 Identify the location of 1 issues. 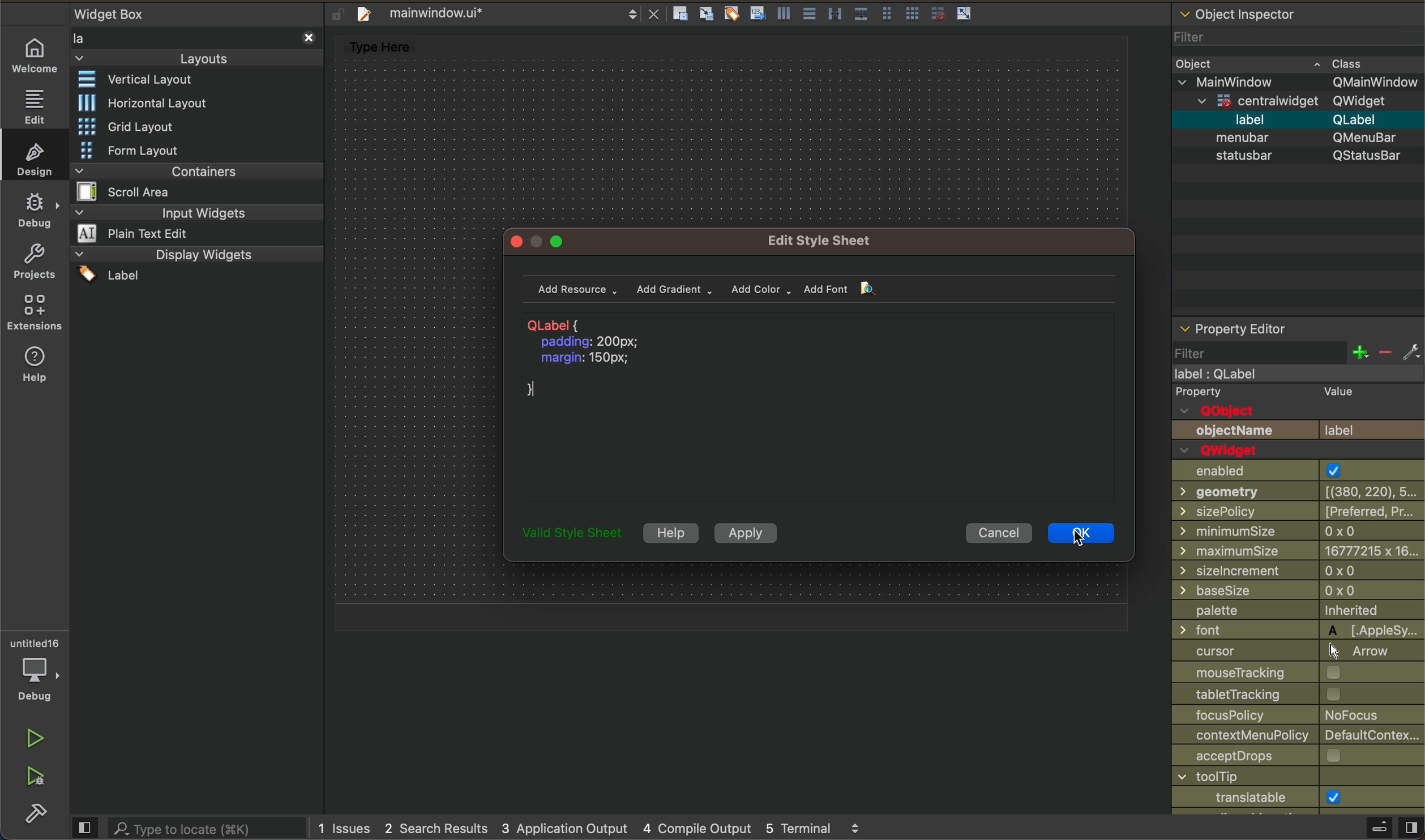
(345, 827).